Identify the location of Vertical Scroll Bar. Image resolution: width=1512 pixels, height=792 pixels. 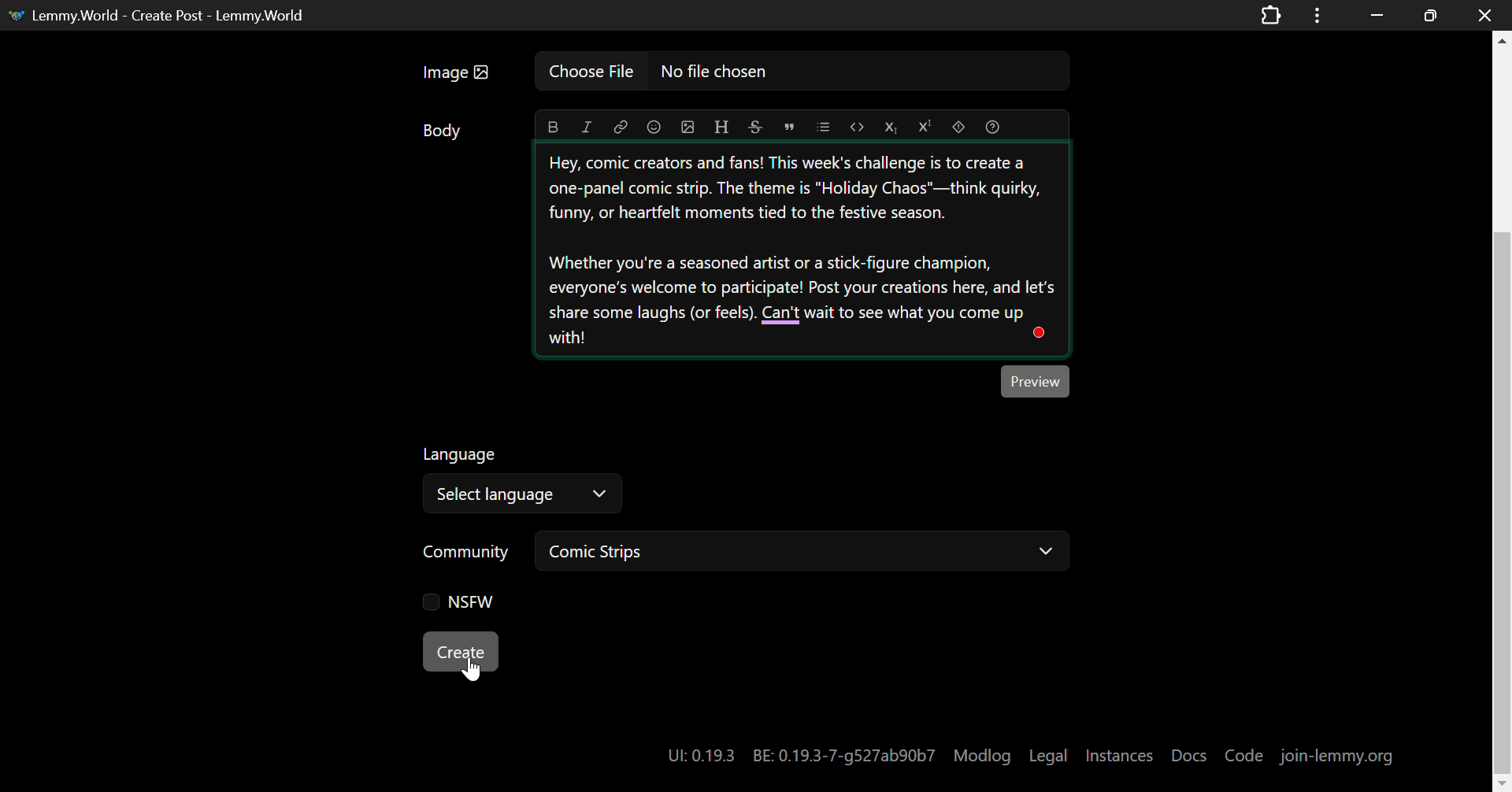
(1503, 418).